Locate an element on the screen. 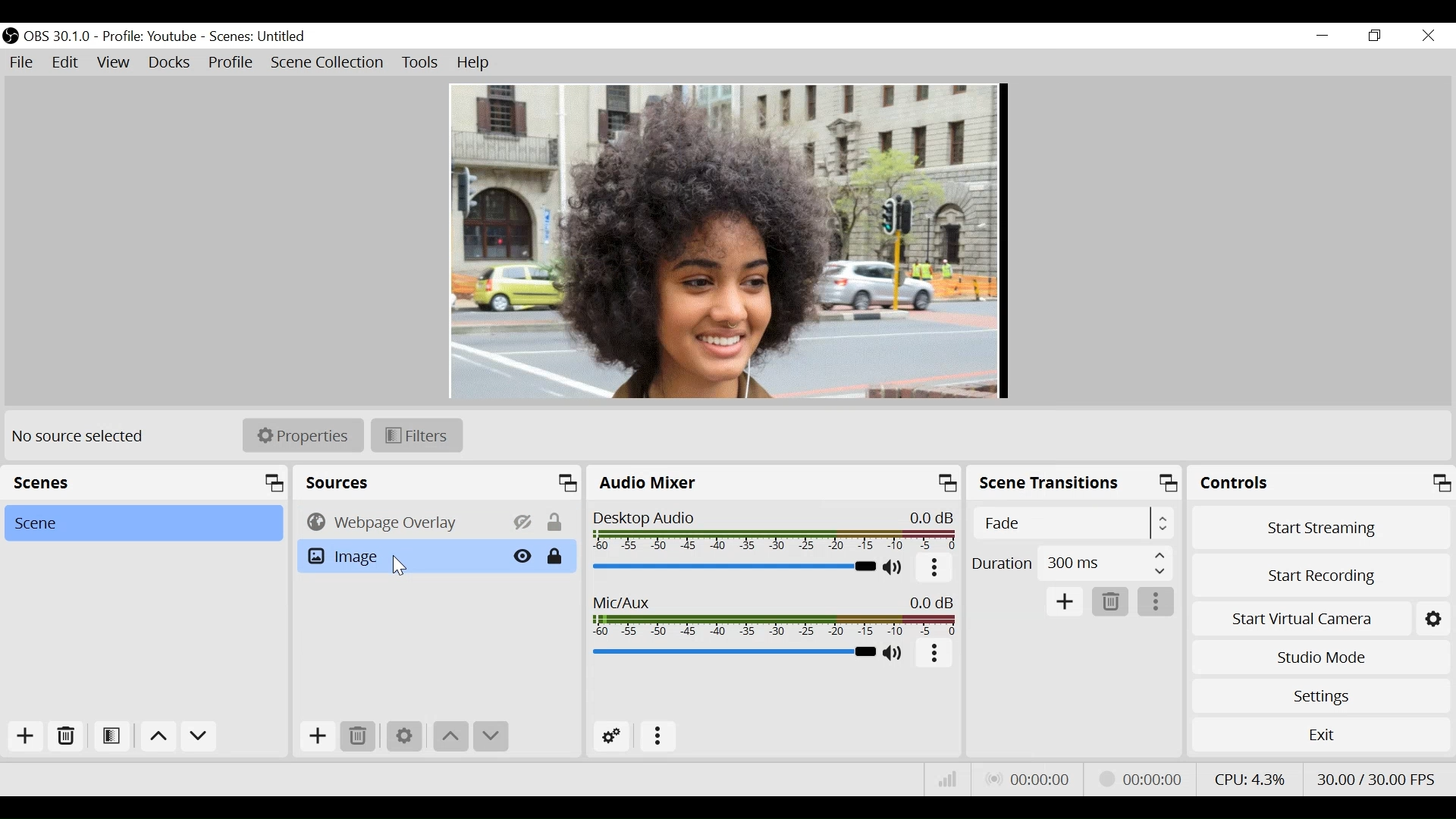 The width and height of the screenshot is (1456, 819). Cursor is located at coordinates (401, 567).